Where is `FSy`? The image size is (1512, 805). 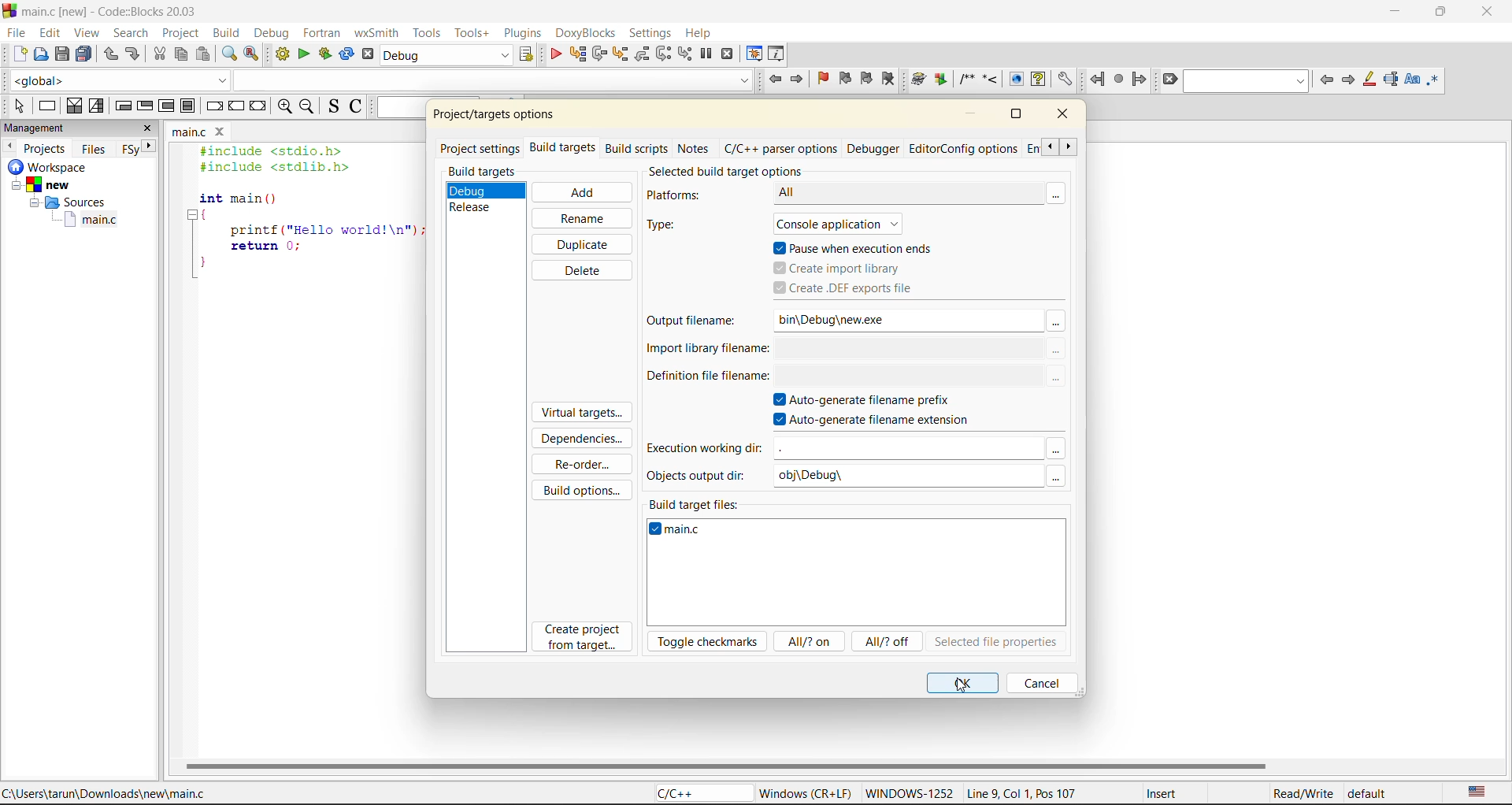
FSy is located at coordinates (131, 148).